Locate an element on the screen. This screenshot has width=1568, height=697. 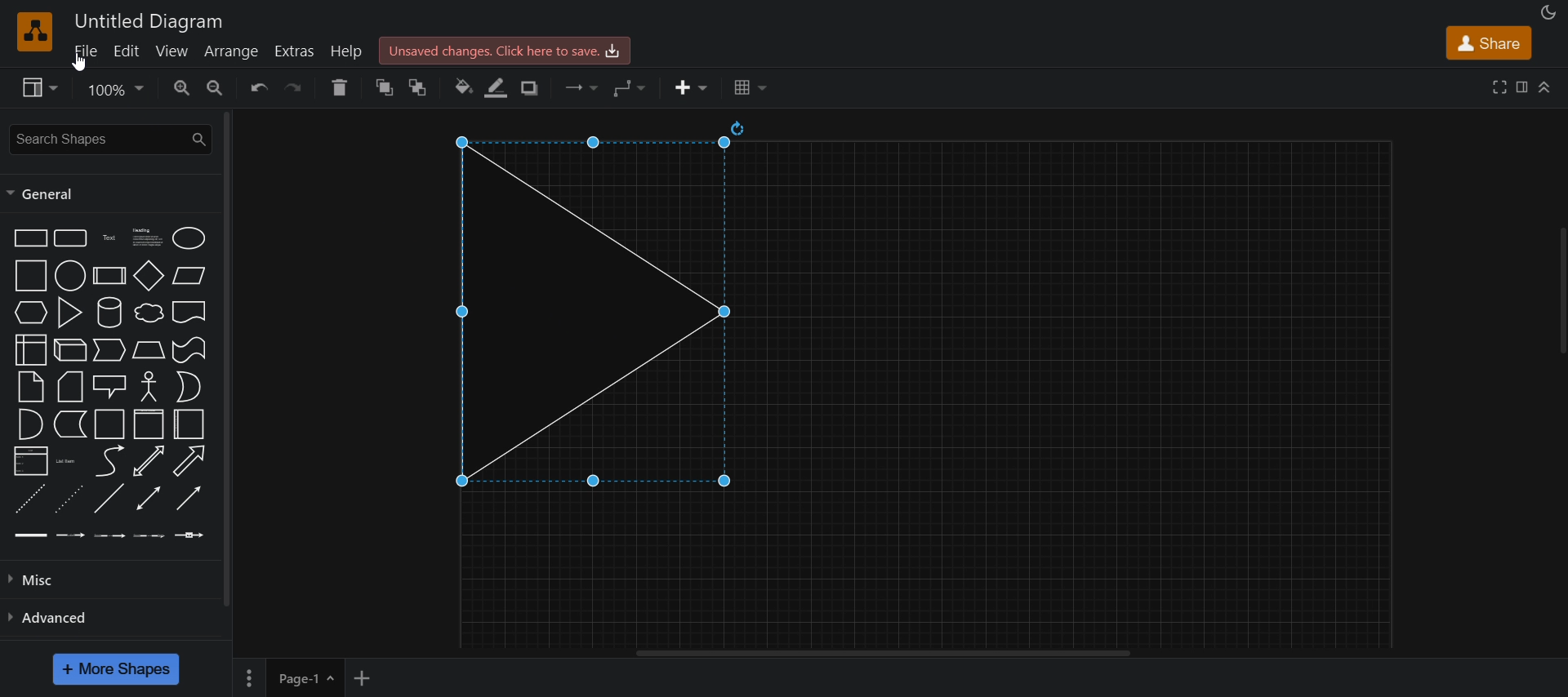
table is located at coordinates (751, 87).